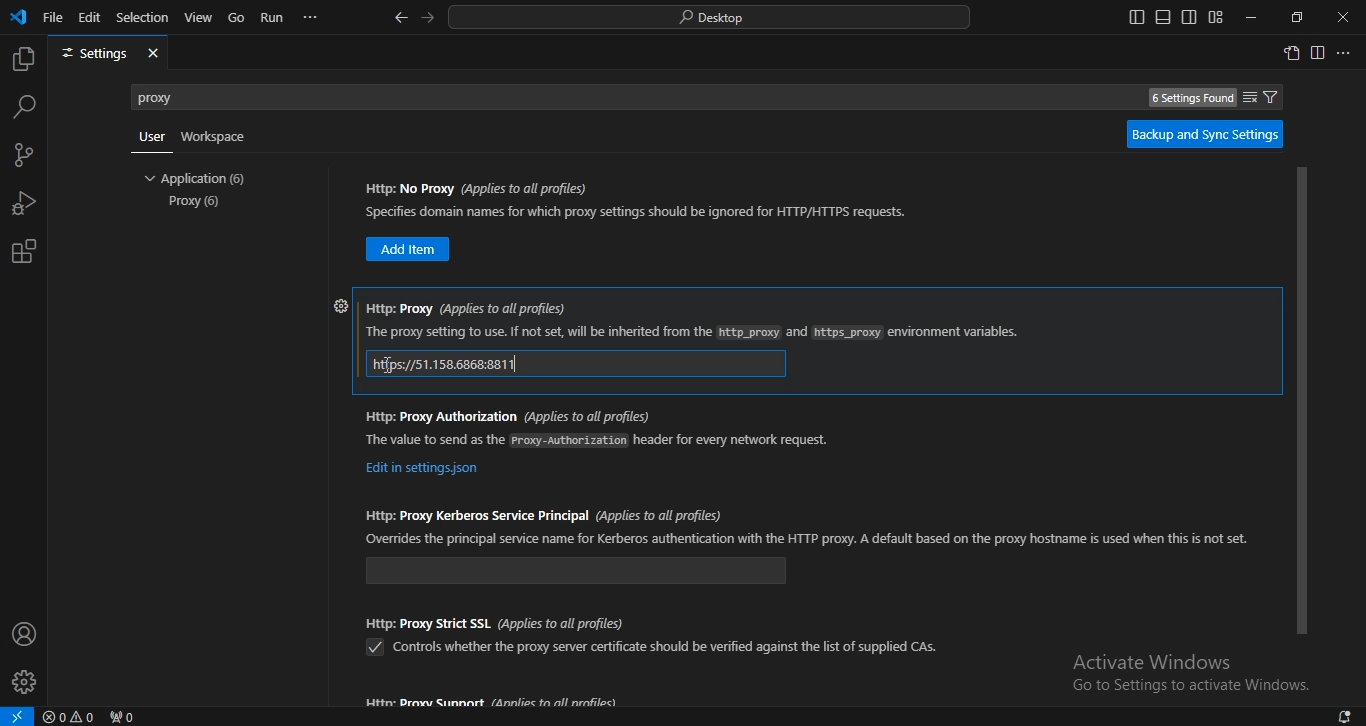 The width and height of the screenshot is (1366, 726). Describe the element at coordinates (577, 570) in the screenshot. I see `https: proxy kerberos service principal` at that location.